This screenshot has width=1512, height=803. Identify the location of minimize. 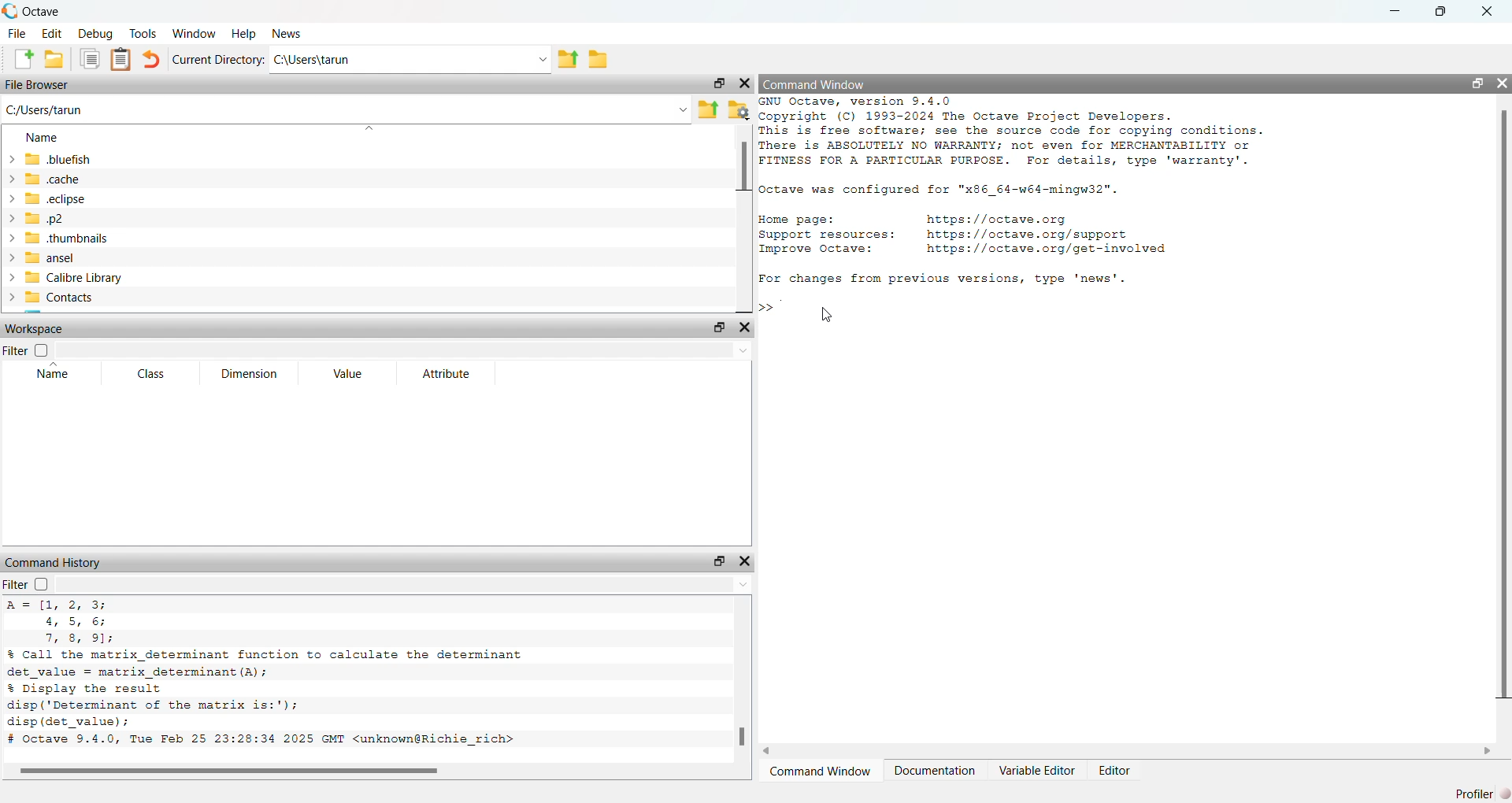
(1392, 13).